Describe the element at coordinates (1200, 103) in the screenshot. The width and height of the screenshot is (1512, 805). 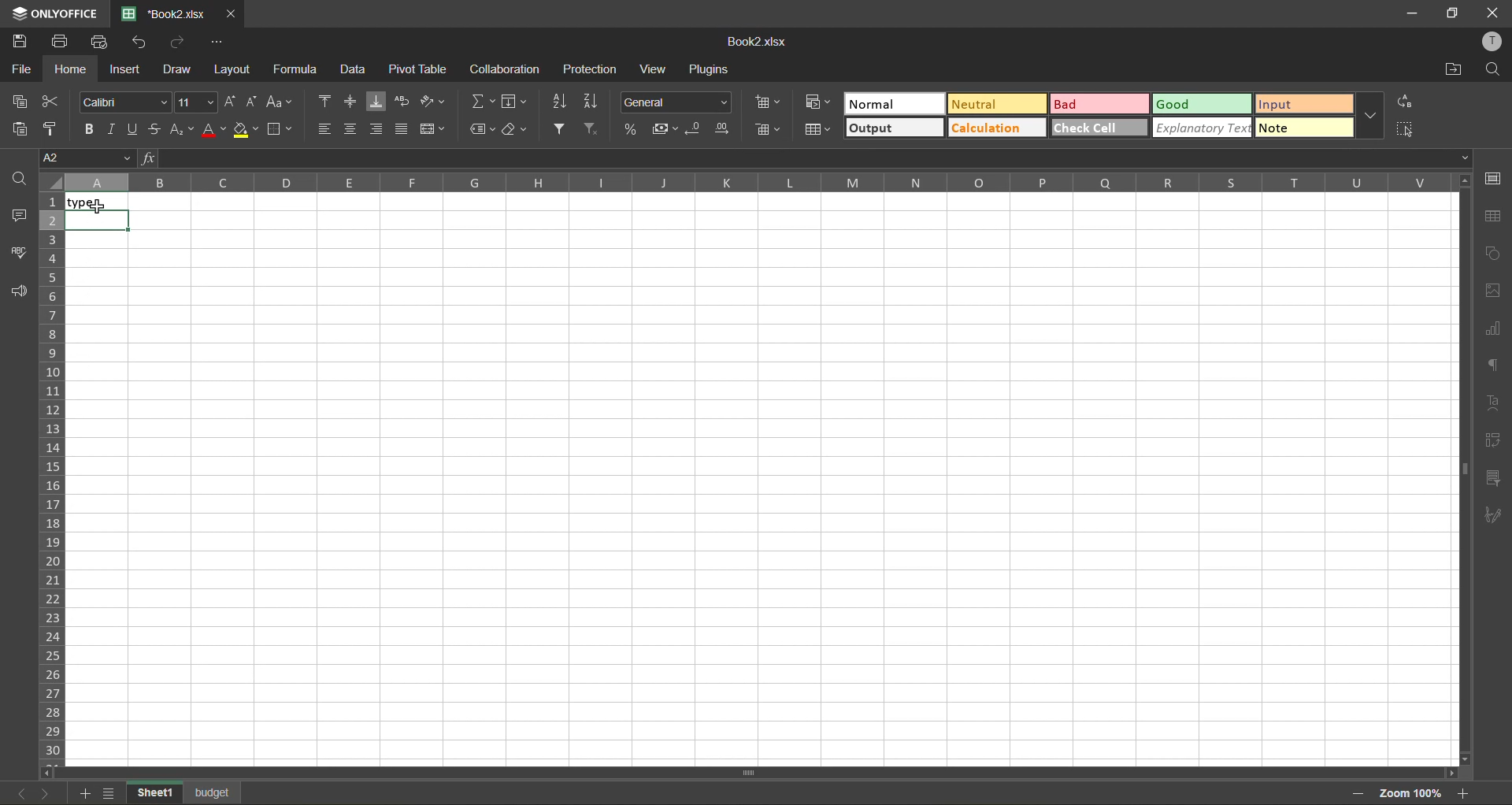
I see `good` at that location.